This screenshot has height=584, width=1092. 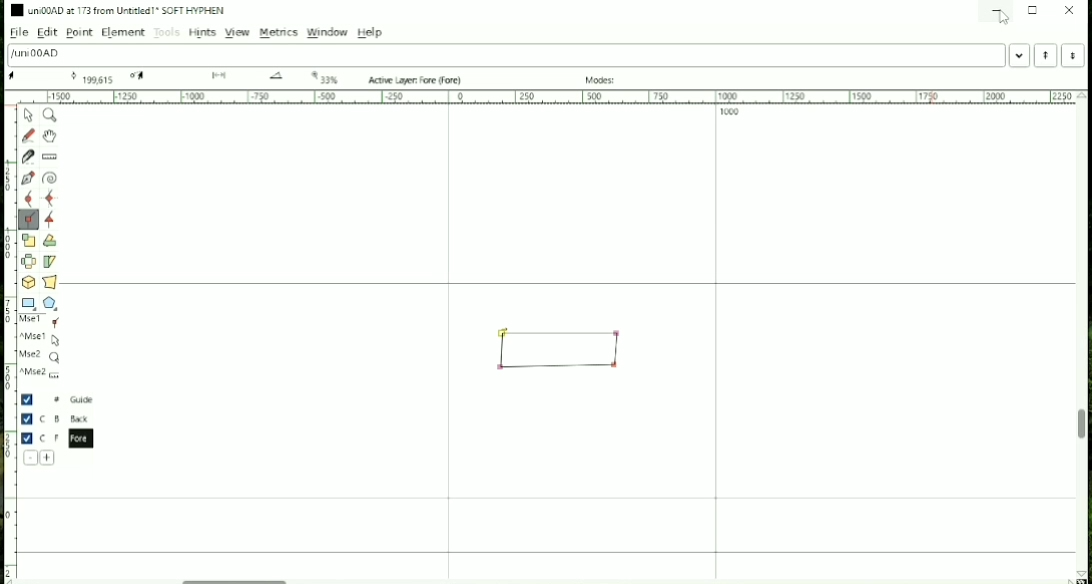 I want to click on Active Layer, so click(x=417, y=80).